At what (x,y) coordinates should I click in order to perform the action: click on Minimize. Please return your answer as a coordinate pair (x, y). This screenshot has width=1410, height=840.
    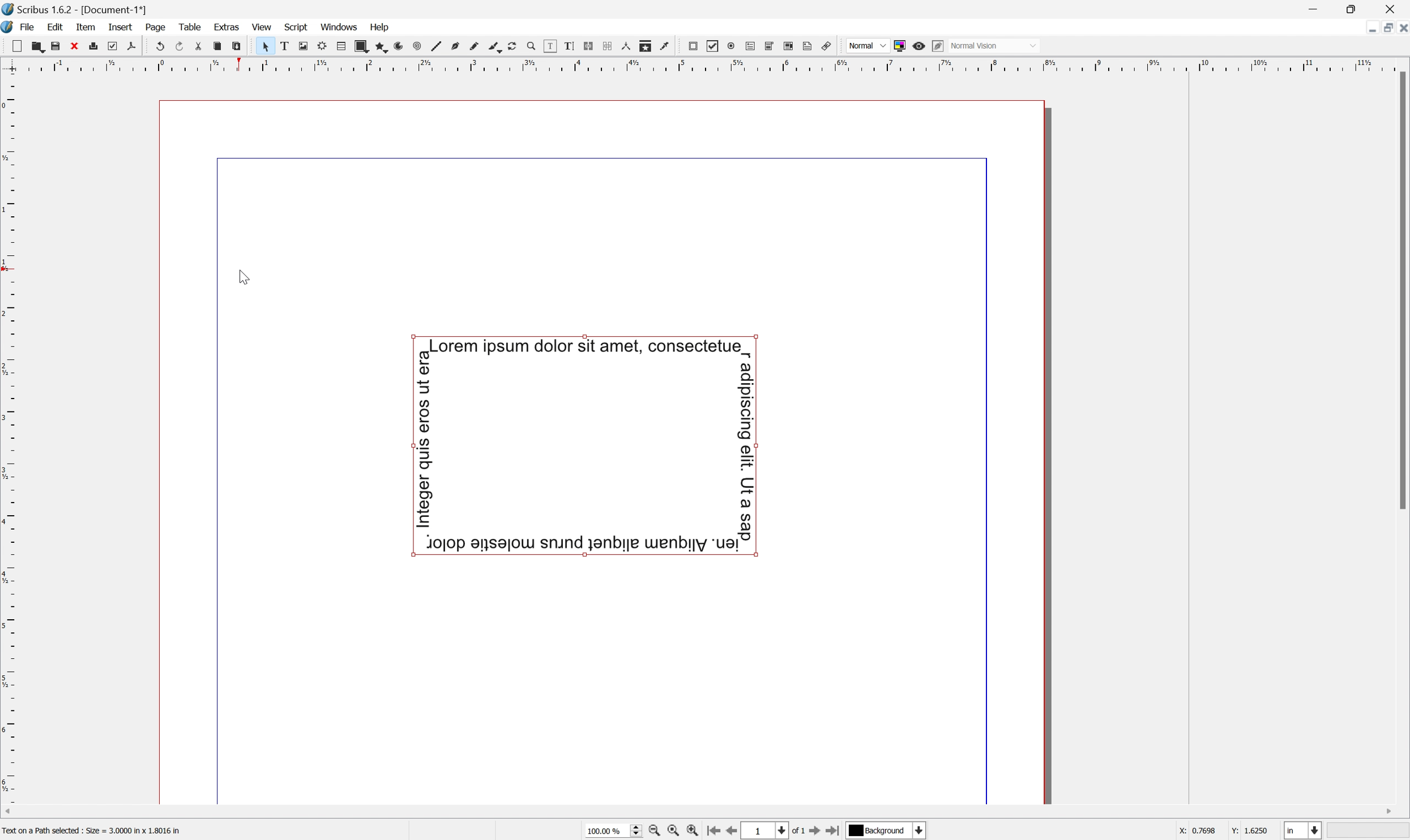
    Looking at the image, I should click on (1310, 8).